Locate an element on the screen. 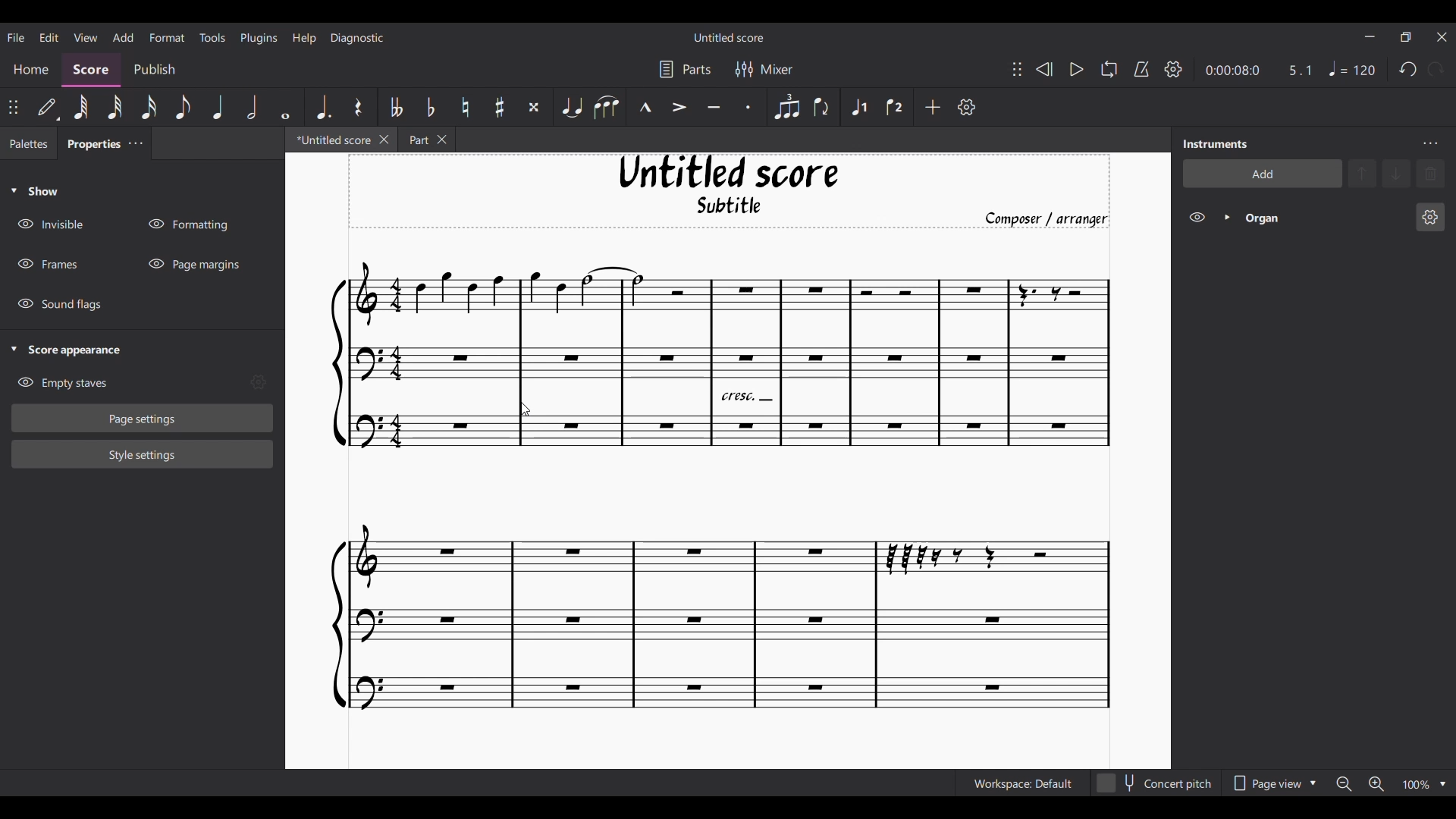  Expand Organ is located at coordinates (1226, 217).